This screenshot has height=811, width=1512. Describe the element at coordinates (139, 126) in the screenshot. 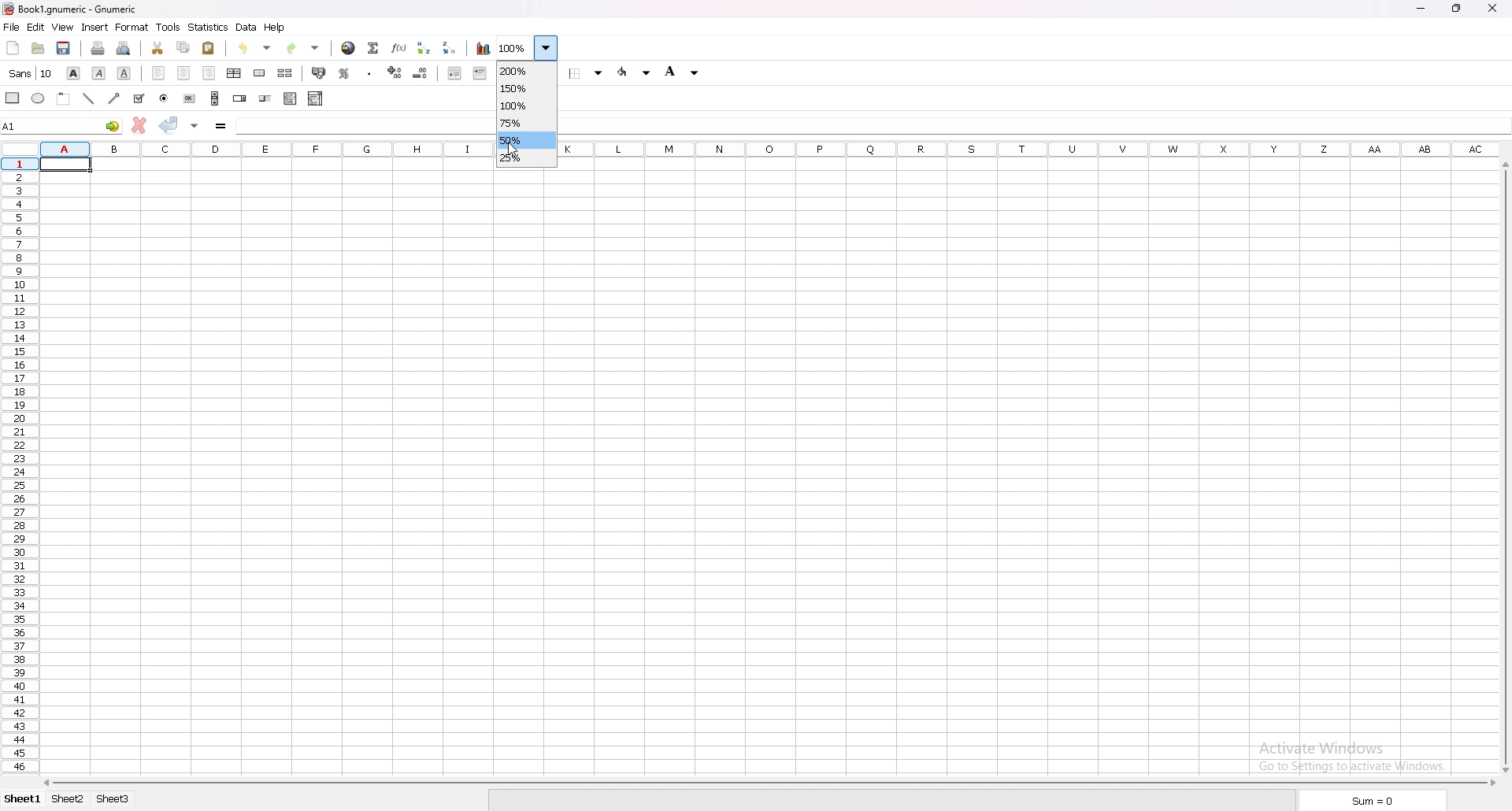

I see `cancel change` at that location.